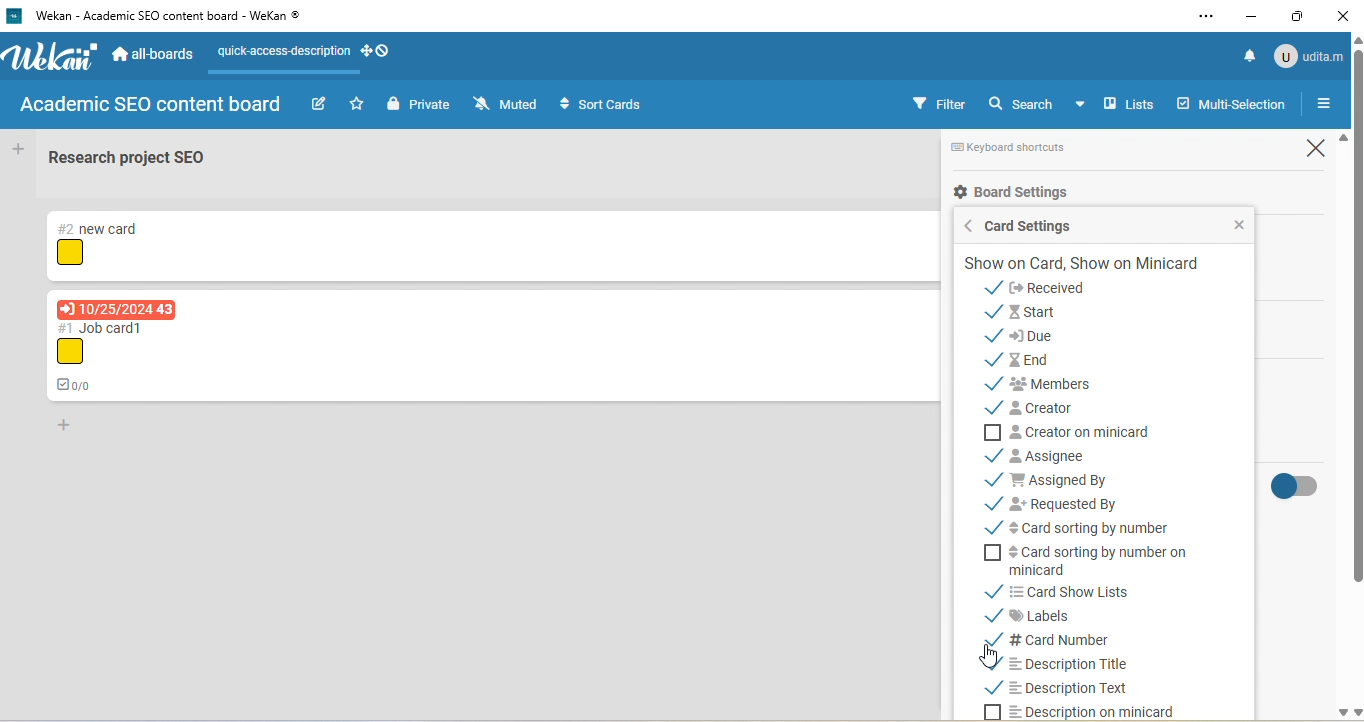 This screenshot has height=722, width=1364. What do you see at coordinates (13, 16) in the screenshot?
I see `logo` at bounding box center [13, 16].